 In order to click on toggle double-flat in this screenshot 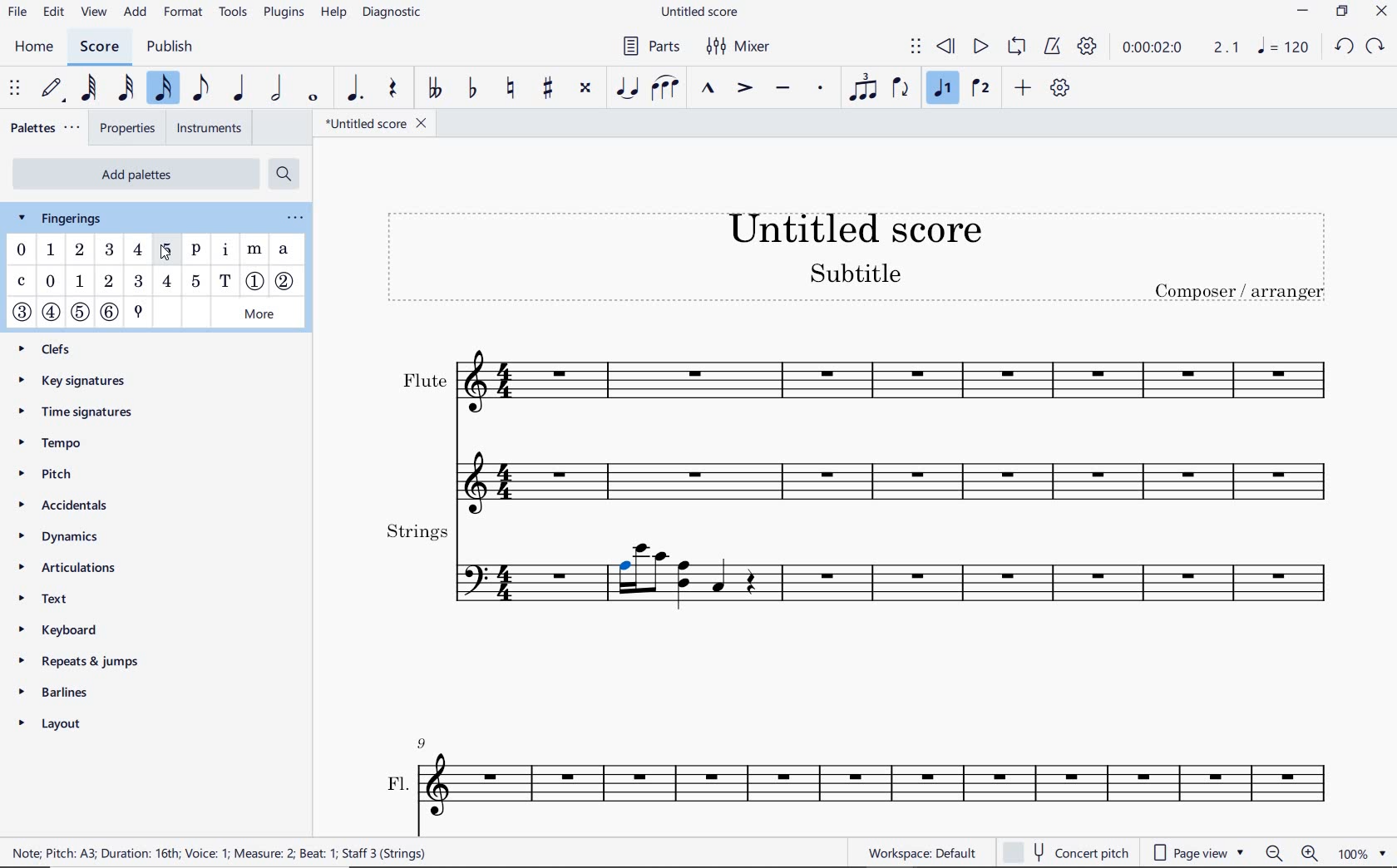, I will do `click(433, 87)`.